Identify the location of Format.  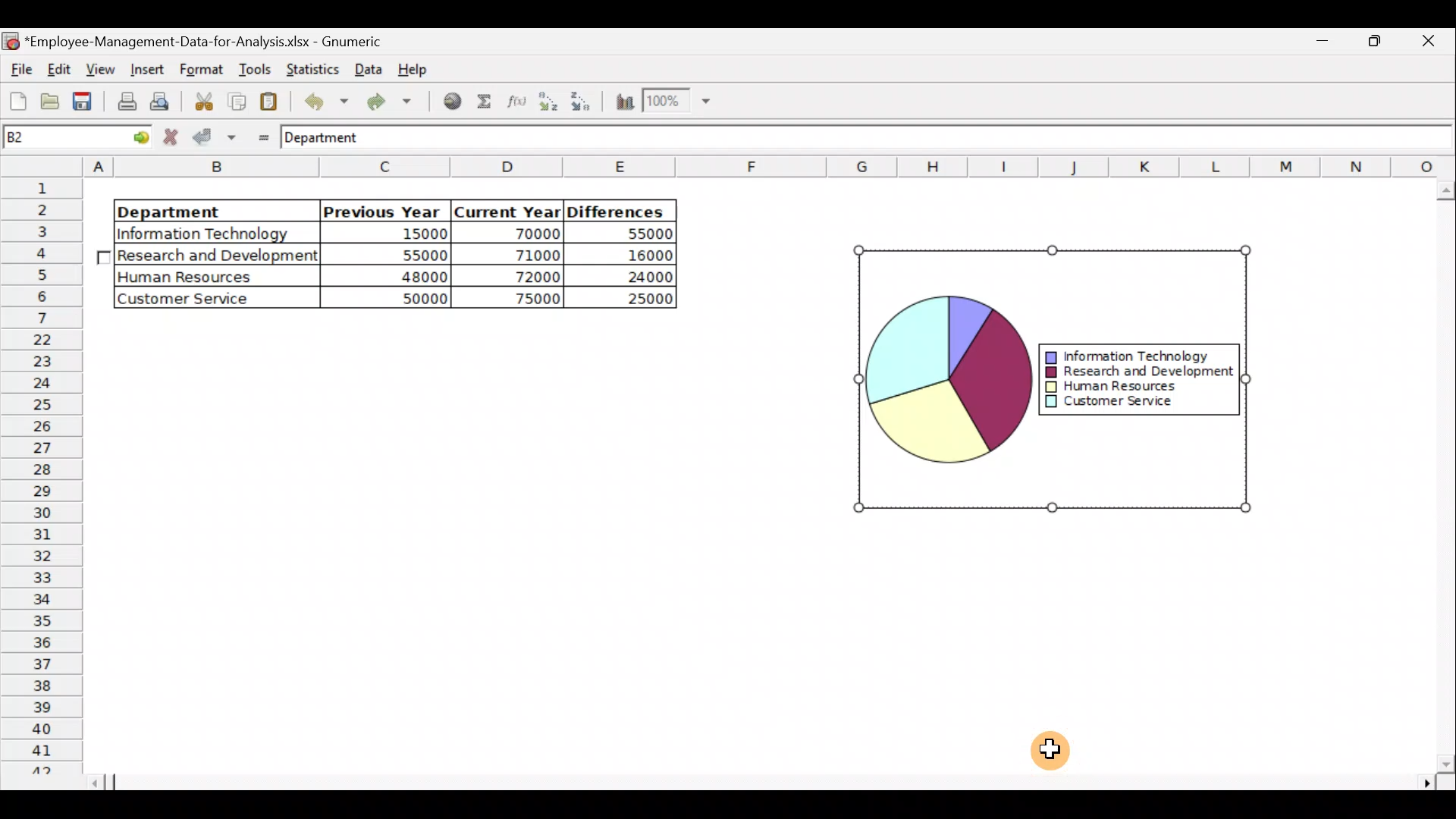
(199, 70).